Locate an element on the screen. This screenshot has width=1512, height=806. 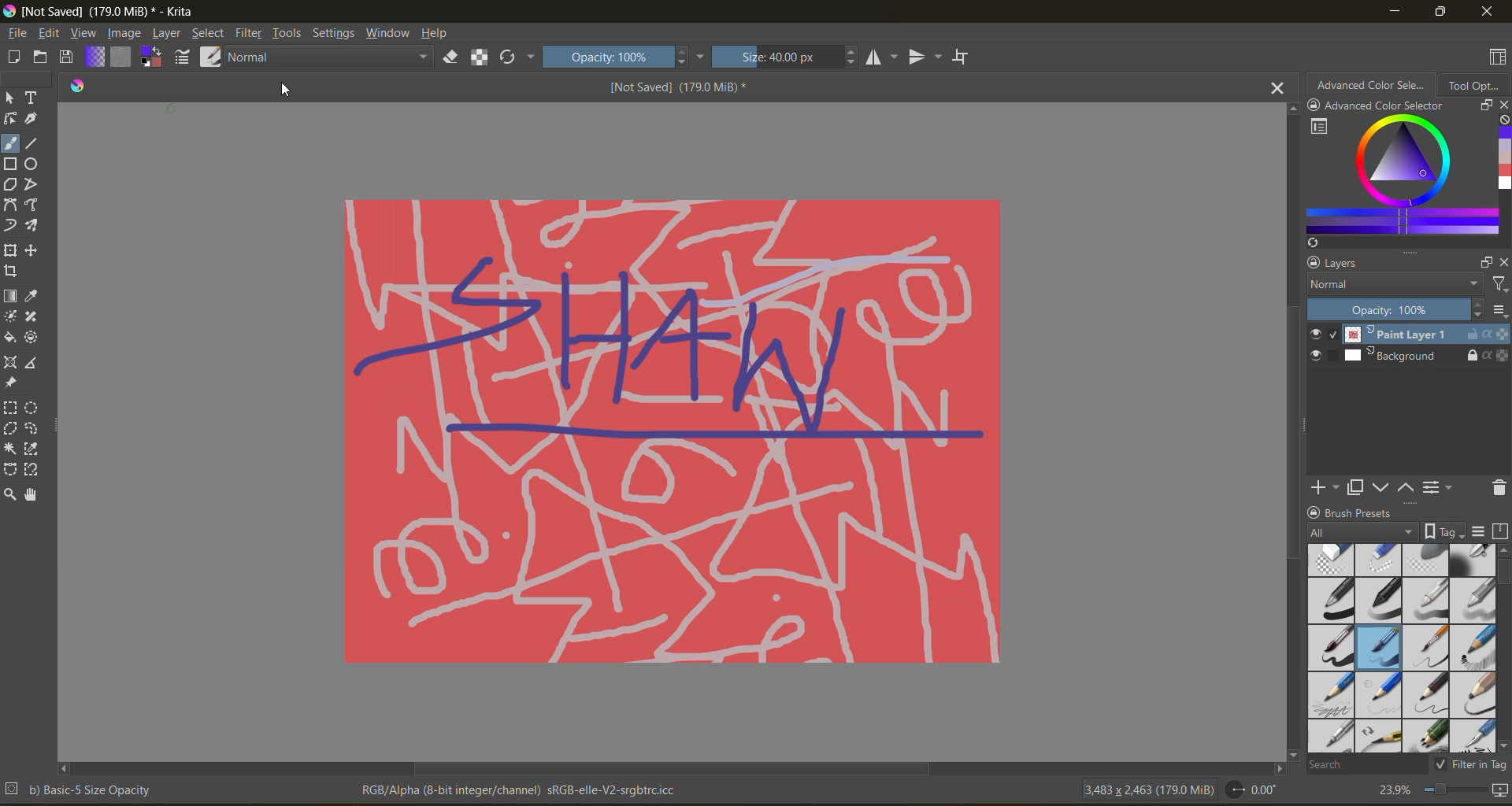
open is located at coordinates (42, 57).